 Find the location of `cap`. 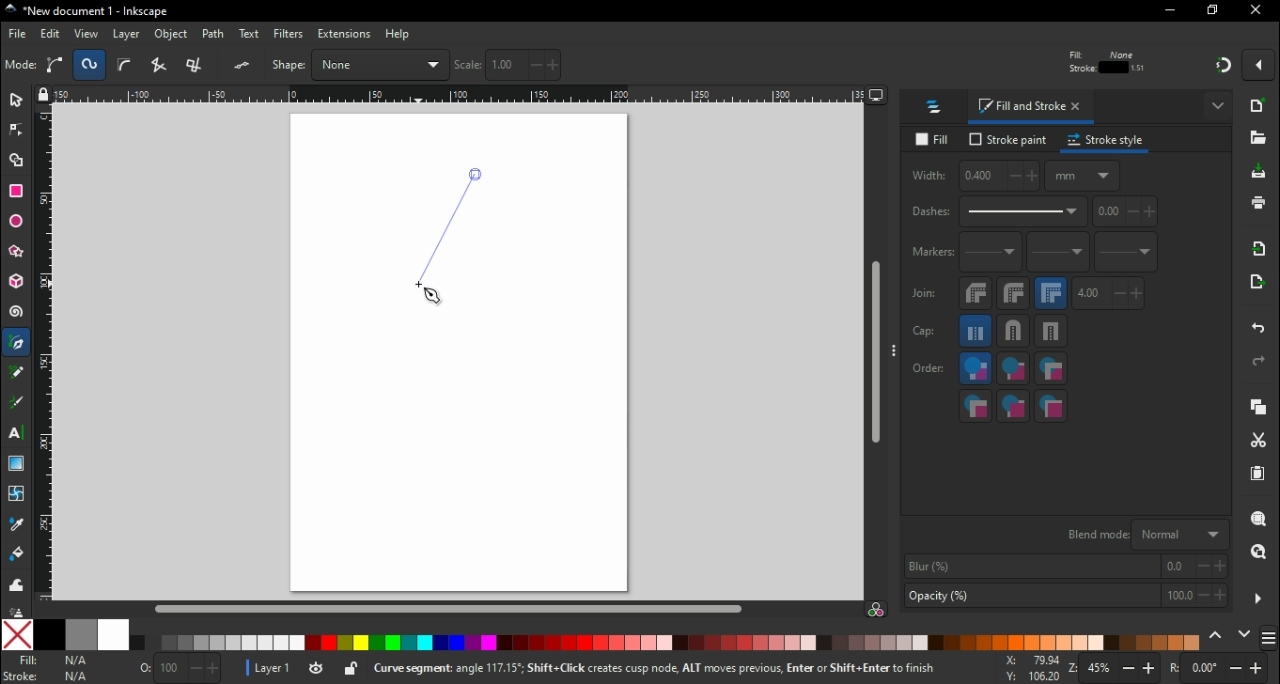

cap is located at coordinates (929, 334).